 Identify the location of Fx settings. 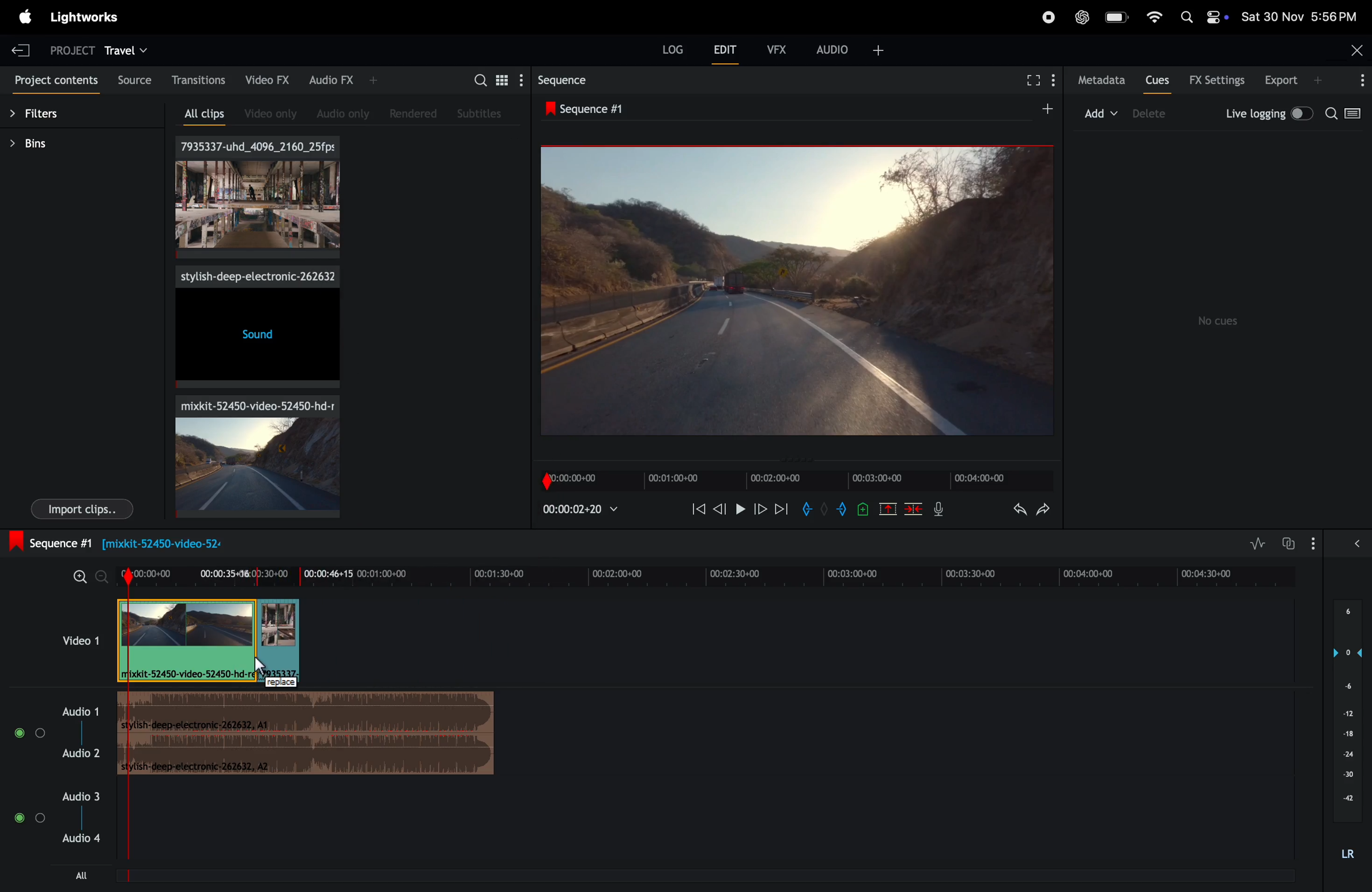
(1217, 81).